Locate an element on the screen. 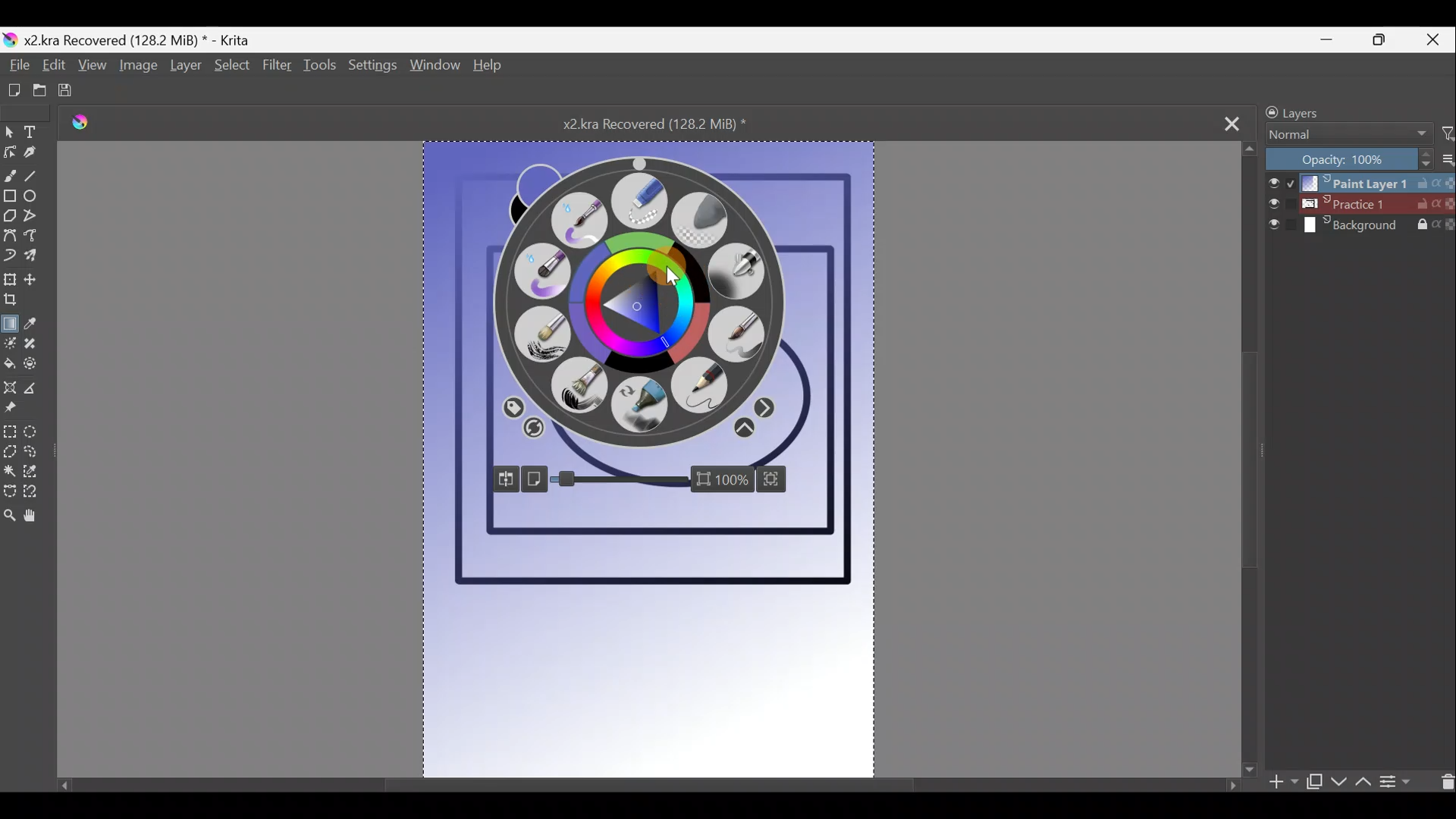 This screenshot has width=1456, height=819. Freehand selection tool is located at coordinates (38, 454).